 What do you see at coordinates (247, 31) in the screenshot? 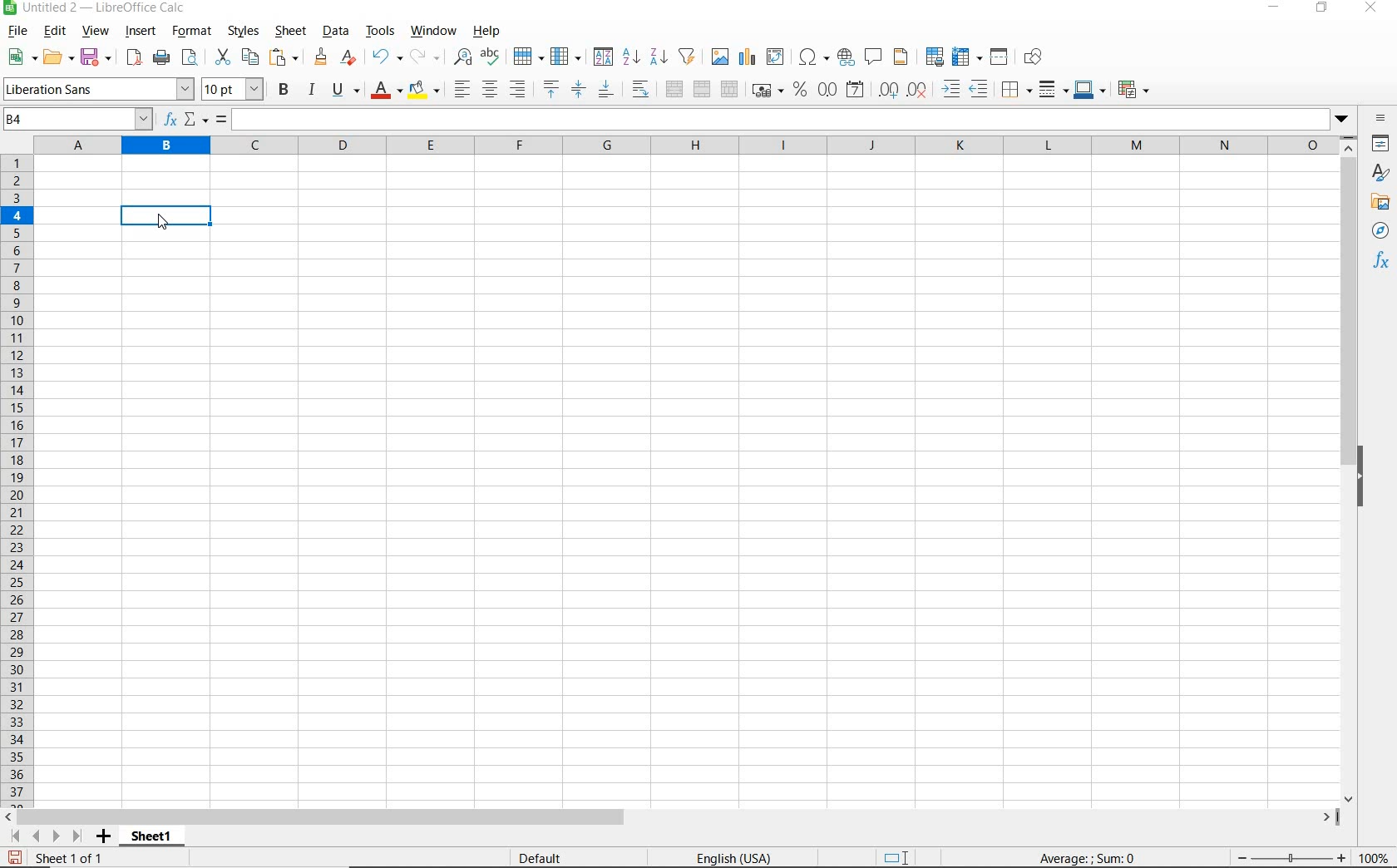
I see `styles` at bounding box center [247, 31].